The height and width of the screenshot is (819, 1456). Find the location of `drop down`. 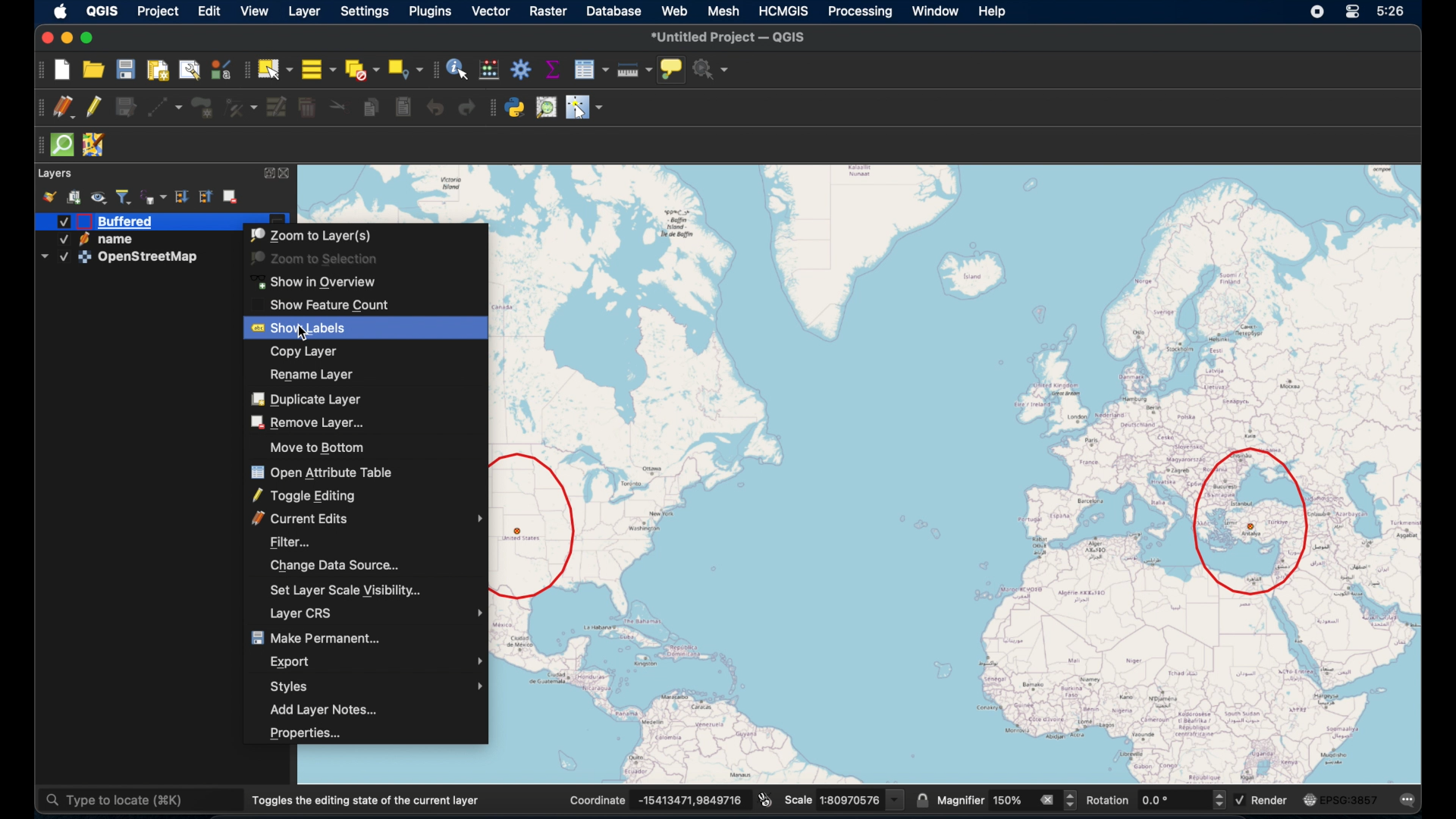

drop down is located at coordinates (896, 799).